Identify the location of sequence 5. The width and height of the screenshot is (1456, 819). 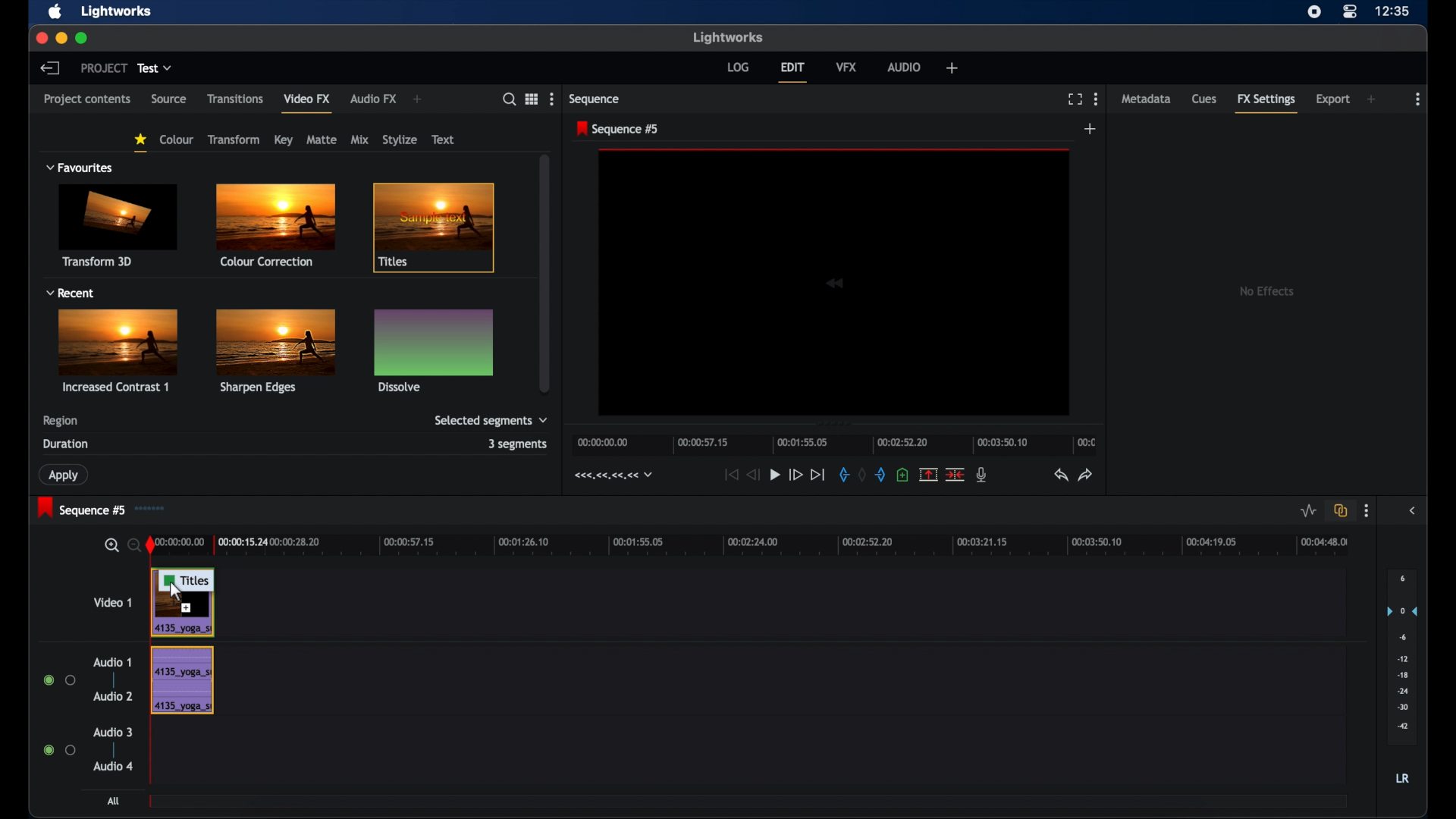
(618, 129).